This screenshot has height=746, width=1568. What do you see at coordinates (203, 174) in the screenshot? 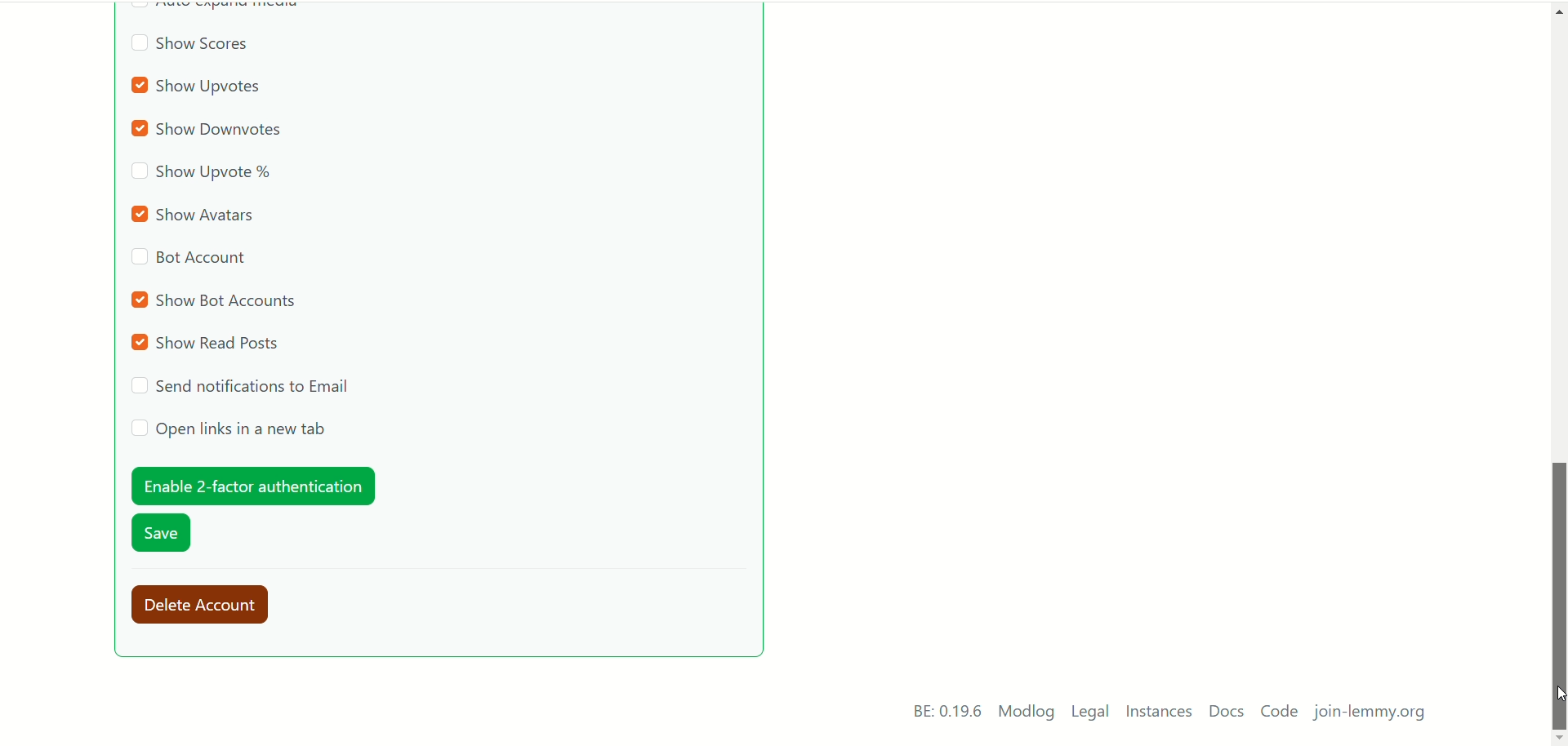
I see `show upvote` at bounding box center [203, 174].